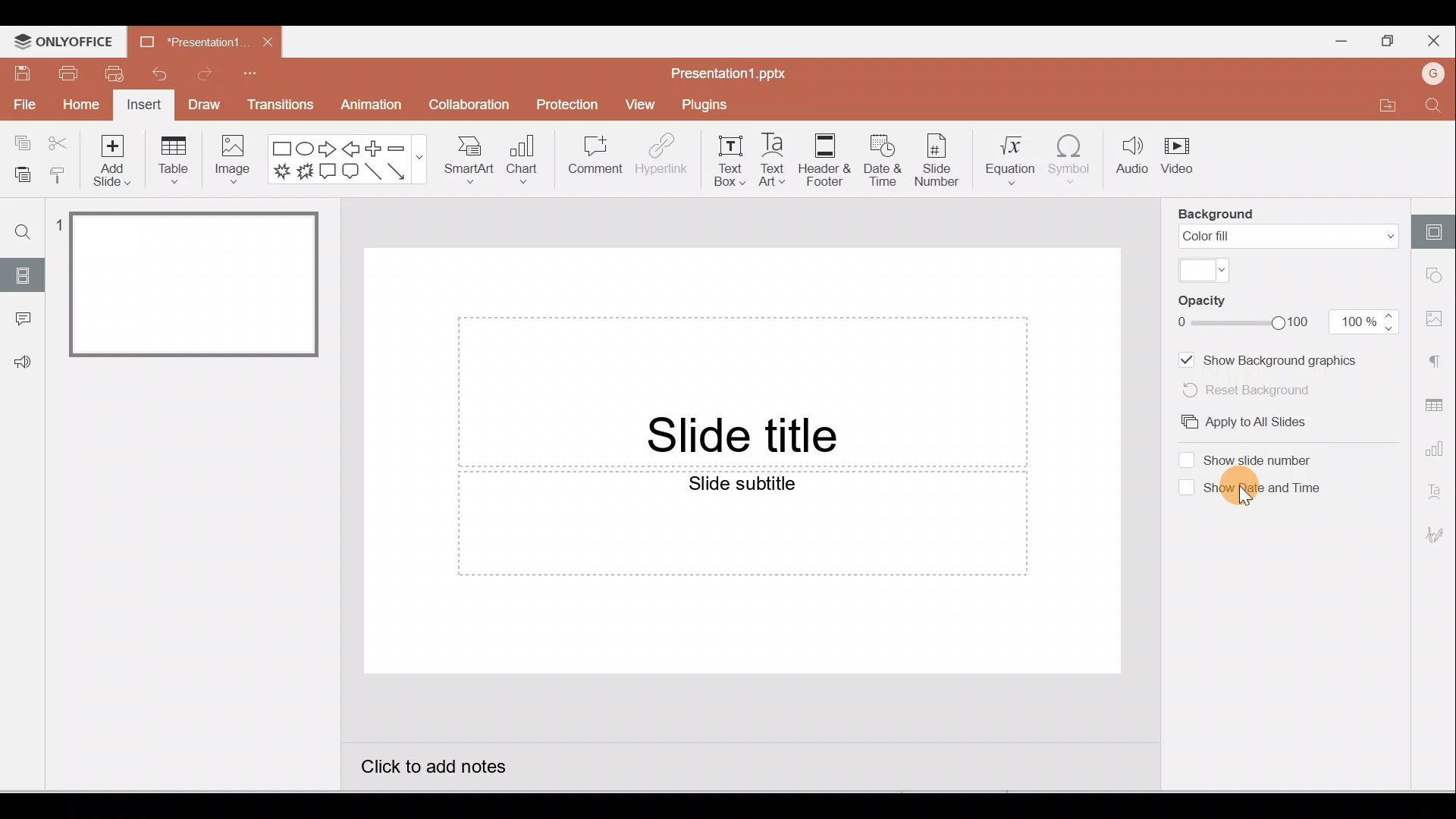 Image resolution: width=1456 pixels, height=819 pixels. I want to click on Customise quick access toolbar, so click(265, 70).